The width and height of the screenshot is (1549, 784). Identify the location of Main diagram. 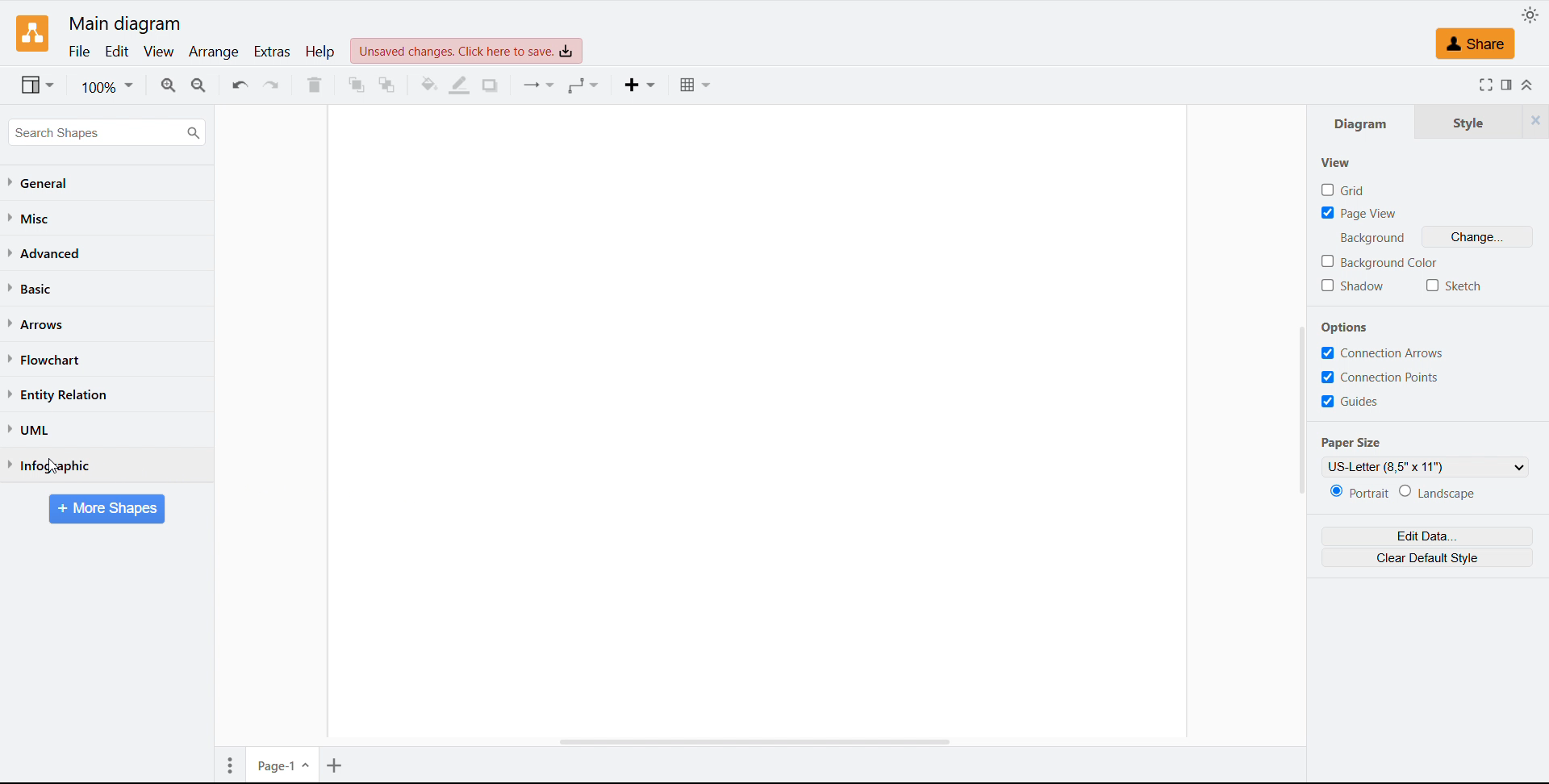
(125, 24).